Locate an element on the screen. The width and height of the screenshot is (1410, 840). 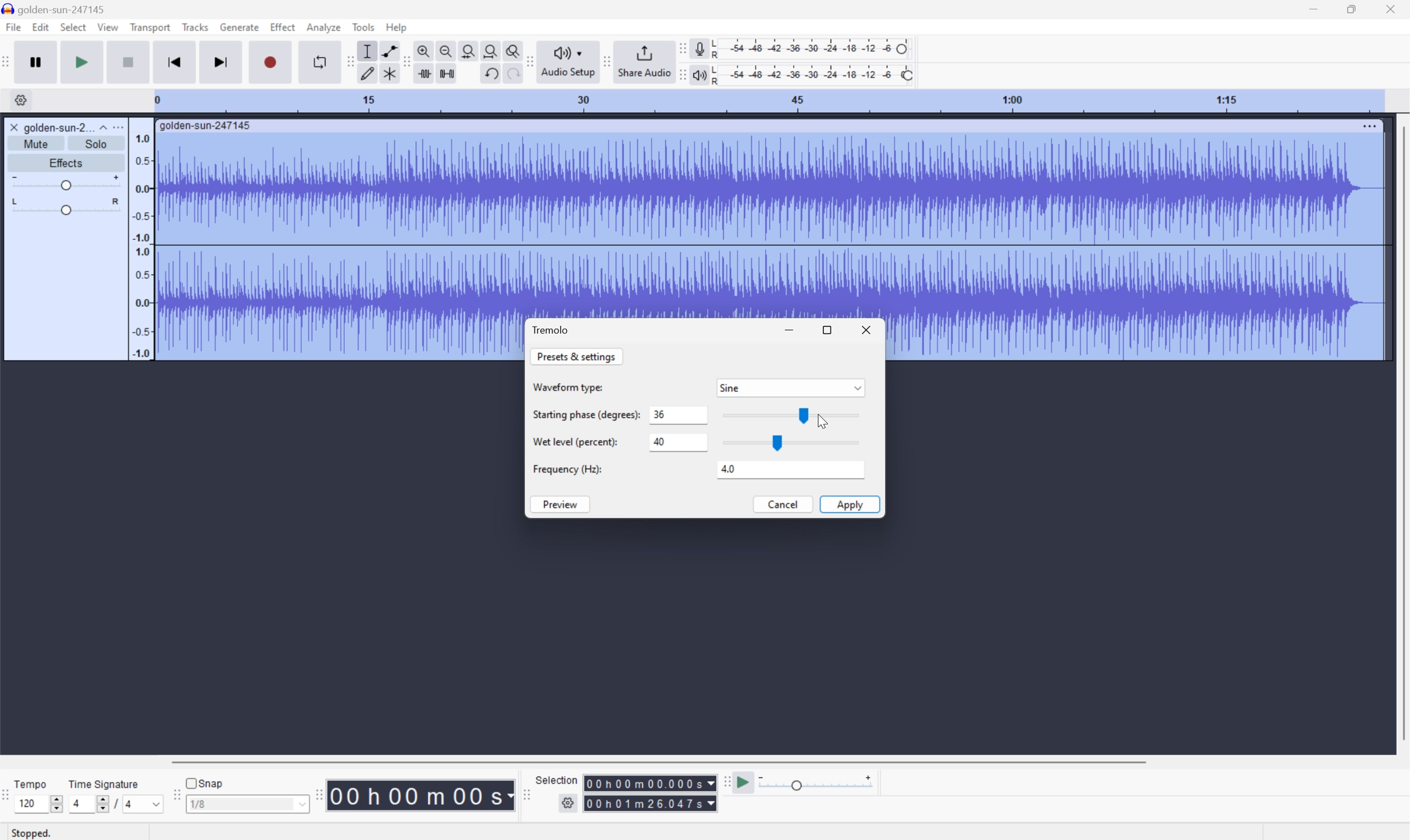
Snap is located at coordinates (206, 782).